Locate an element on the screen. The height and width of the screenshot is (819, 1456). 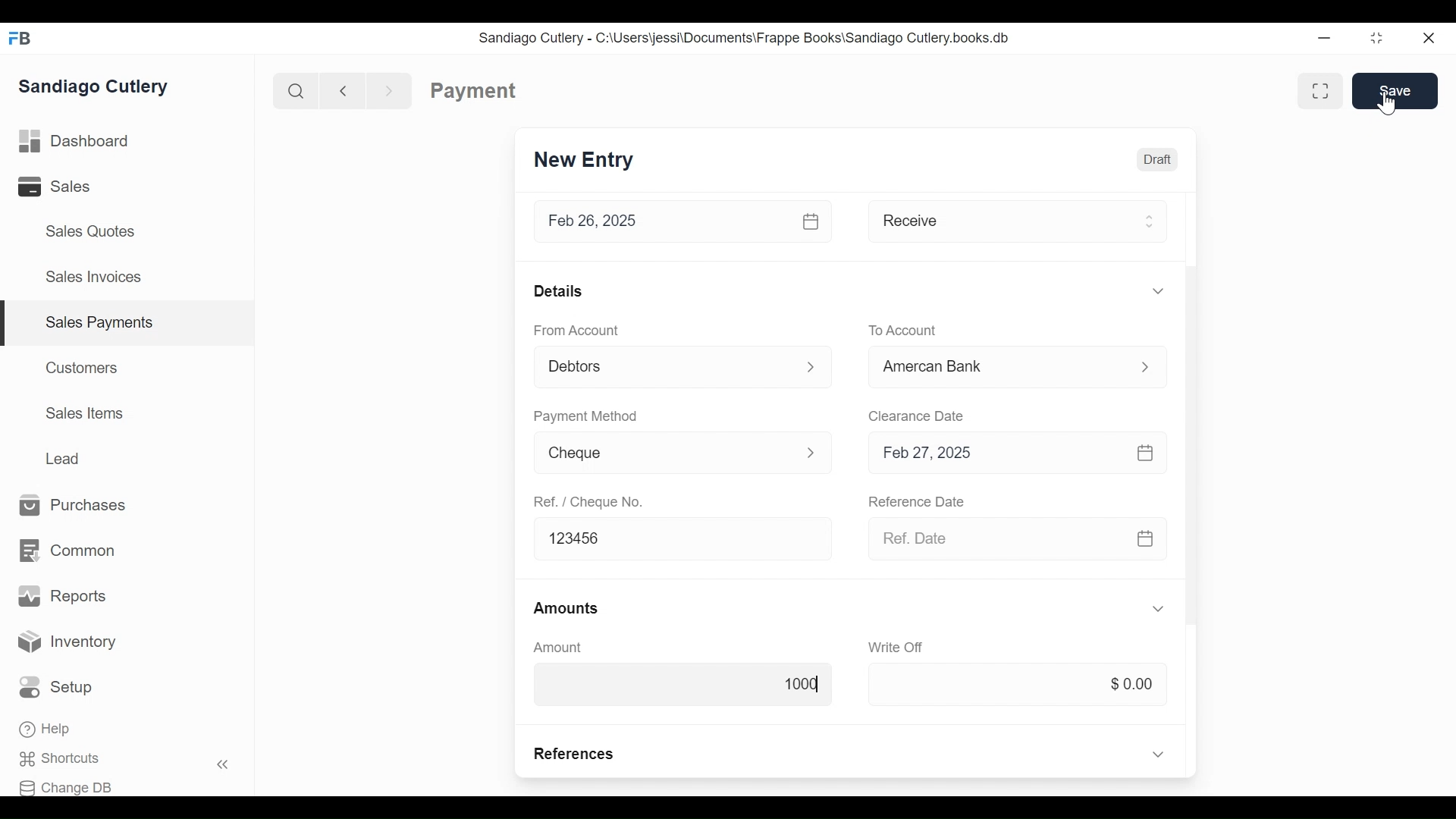
Dashboard is located at coordinates (74, 142).